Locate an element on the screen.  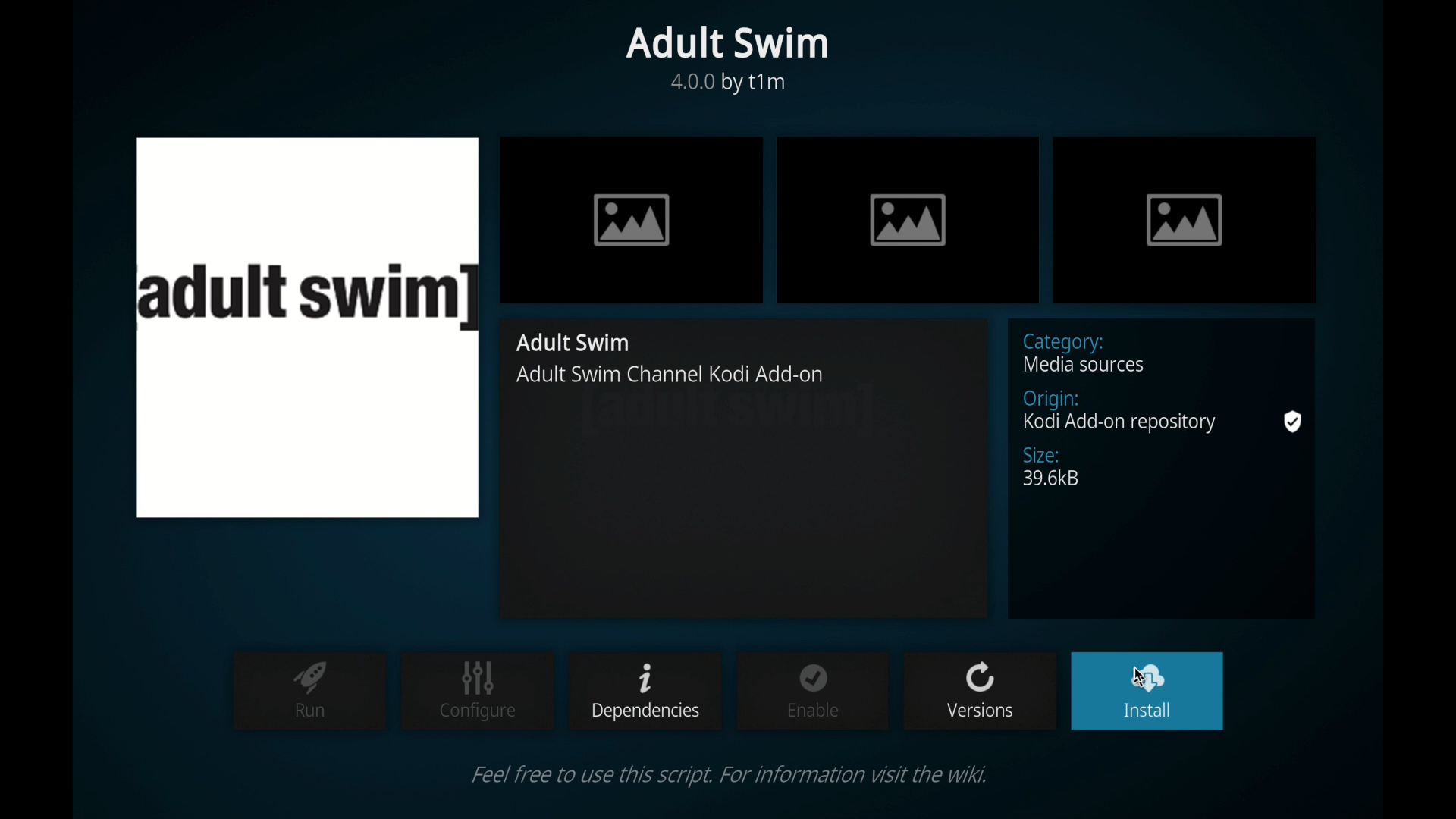
image icon is located at coordinates (1184, 219).